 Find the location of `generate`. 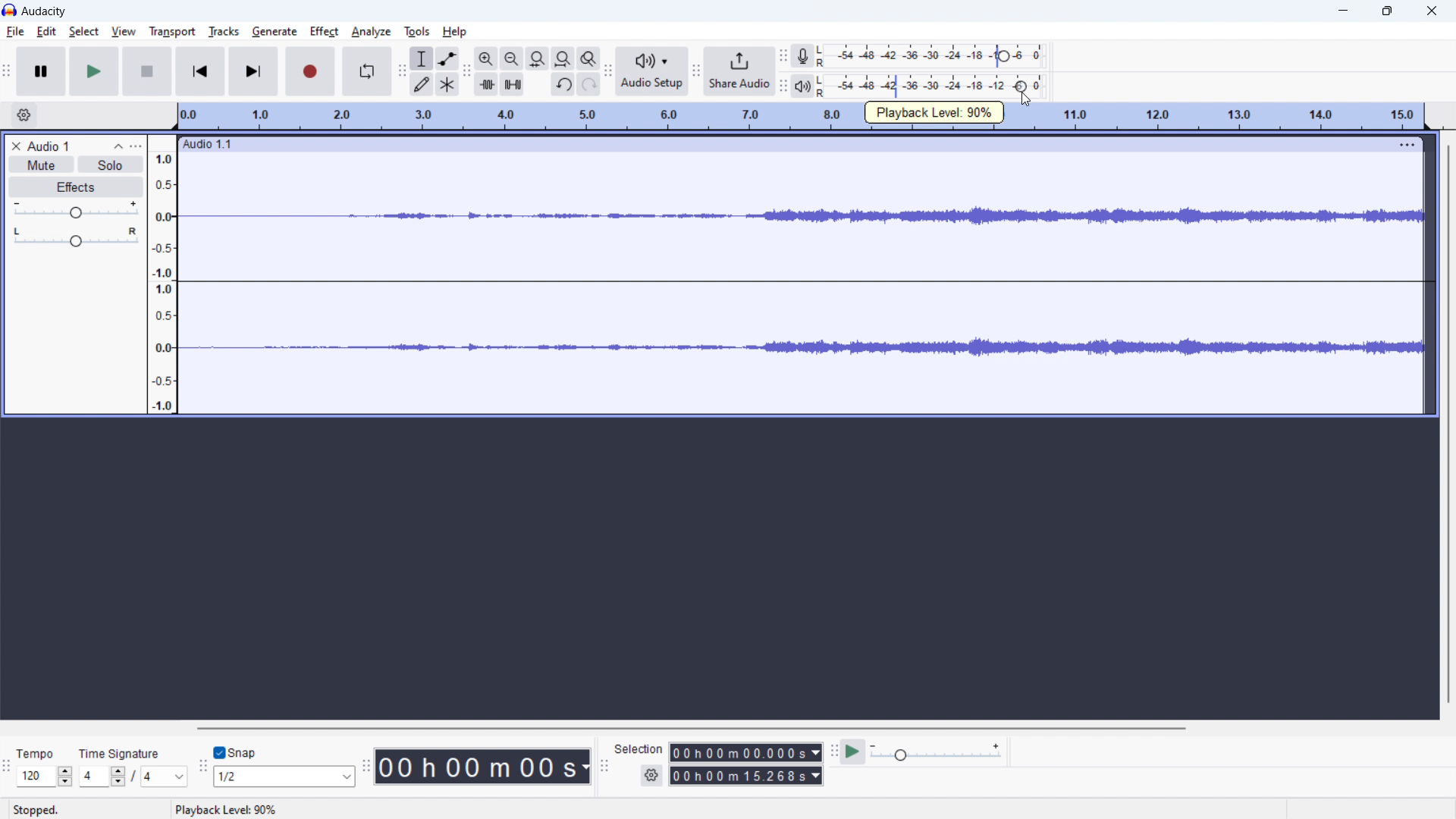

generate is located at coordinates (275, 31).